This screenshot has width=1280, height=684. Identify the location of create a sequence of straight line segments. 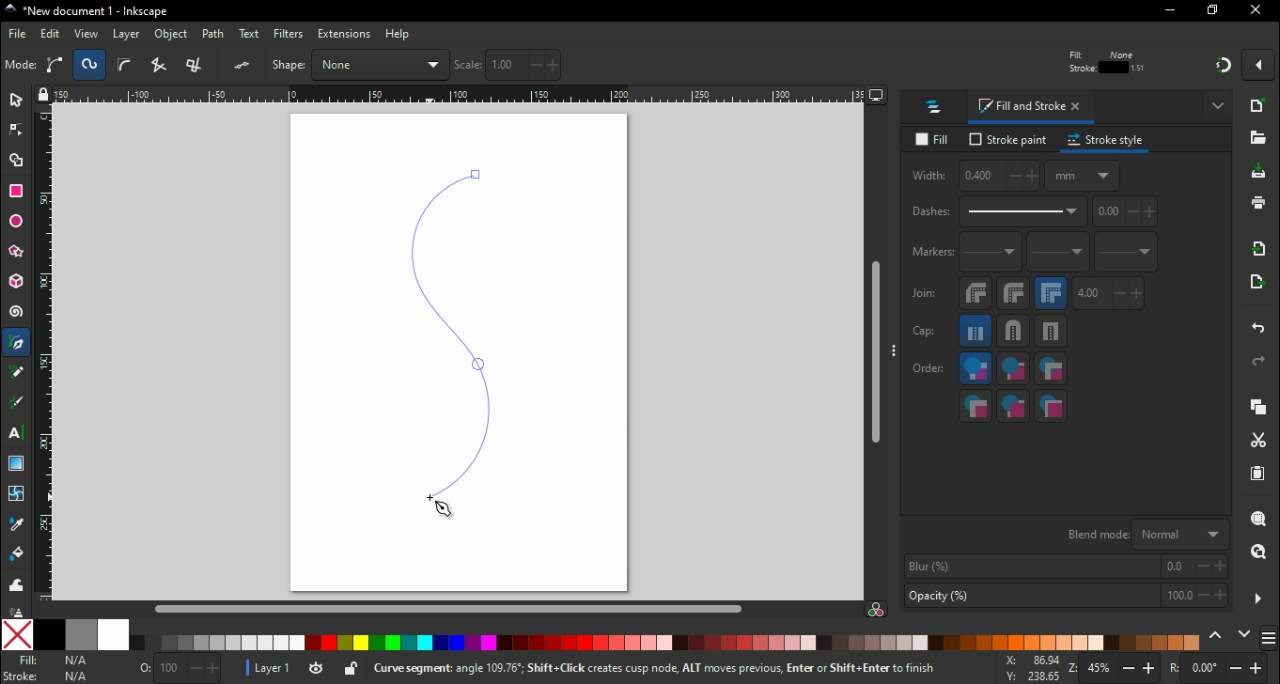
(162, 65).